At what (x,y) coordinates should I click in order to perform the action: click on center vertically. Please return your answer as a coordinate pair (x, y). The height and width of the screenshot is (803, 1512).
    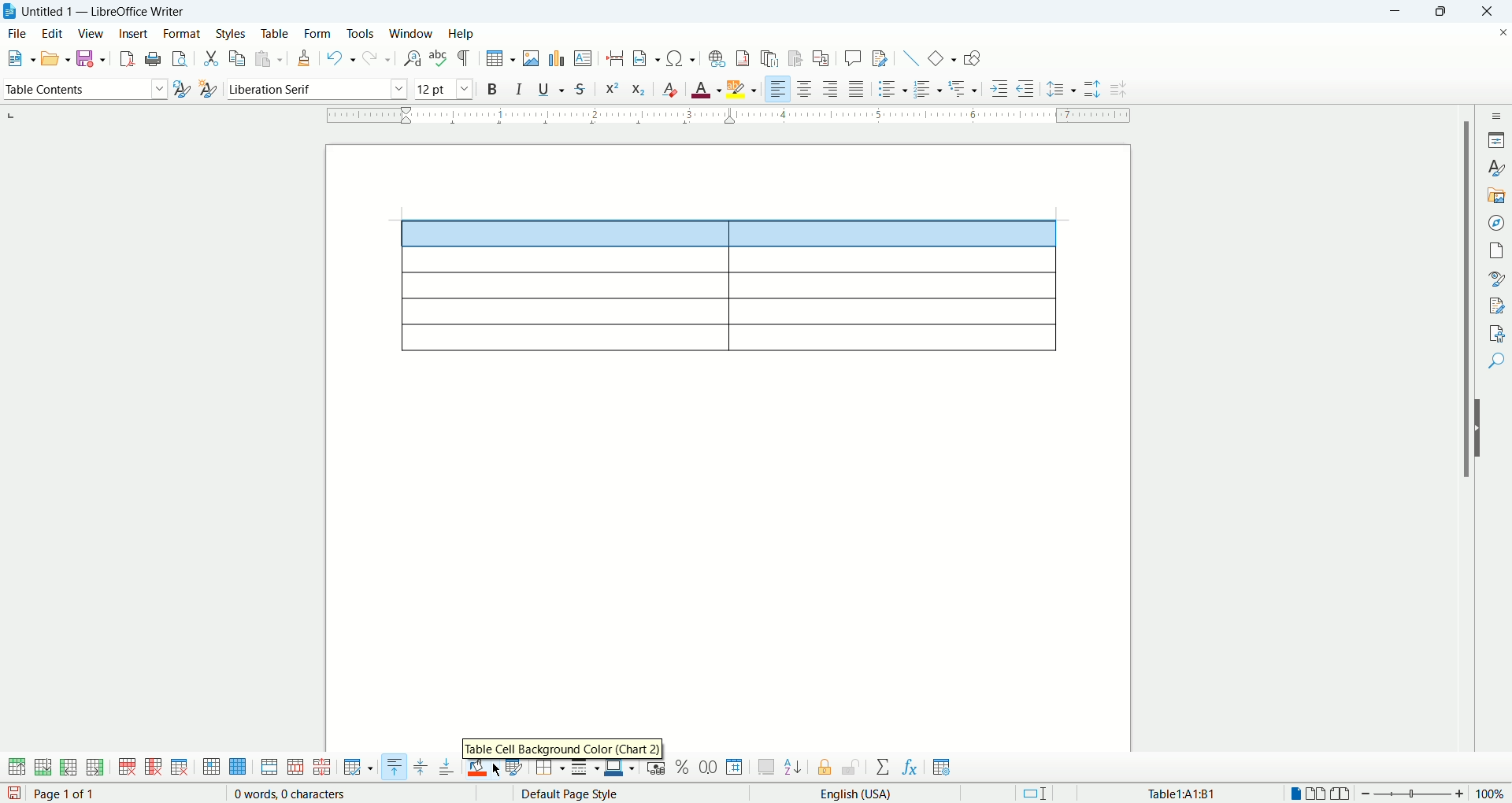
    Looking at the image, I should click on (420, 768).